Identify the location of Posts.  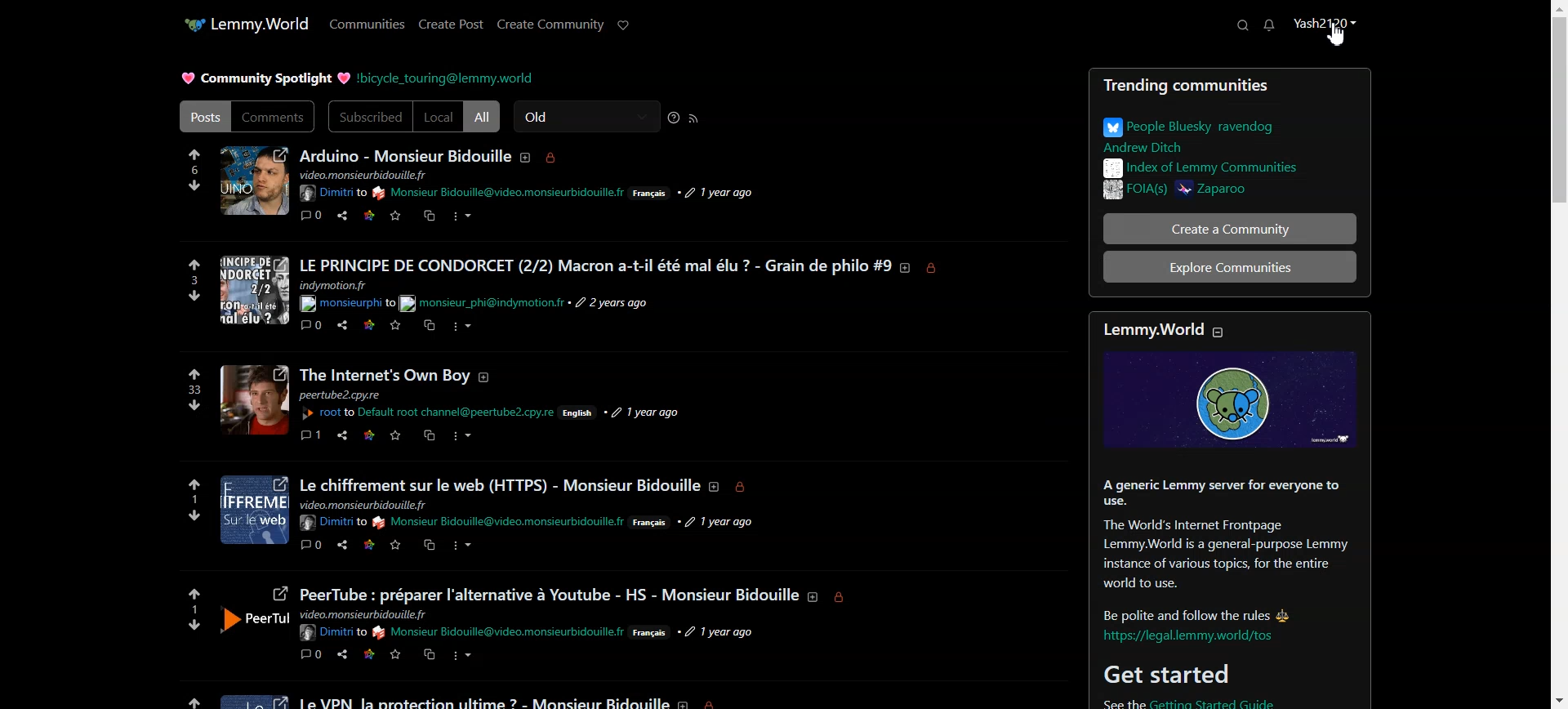
(596, 256).